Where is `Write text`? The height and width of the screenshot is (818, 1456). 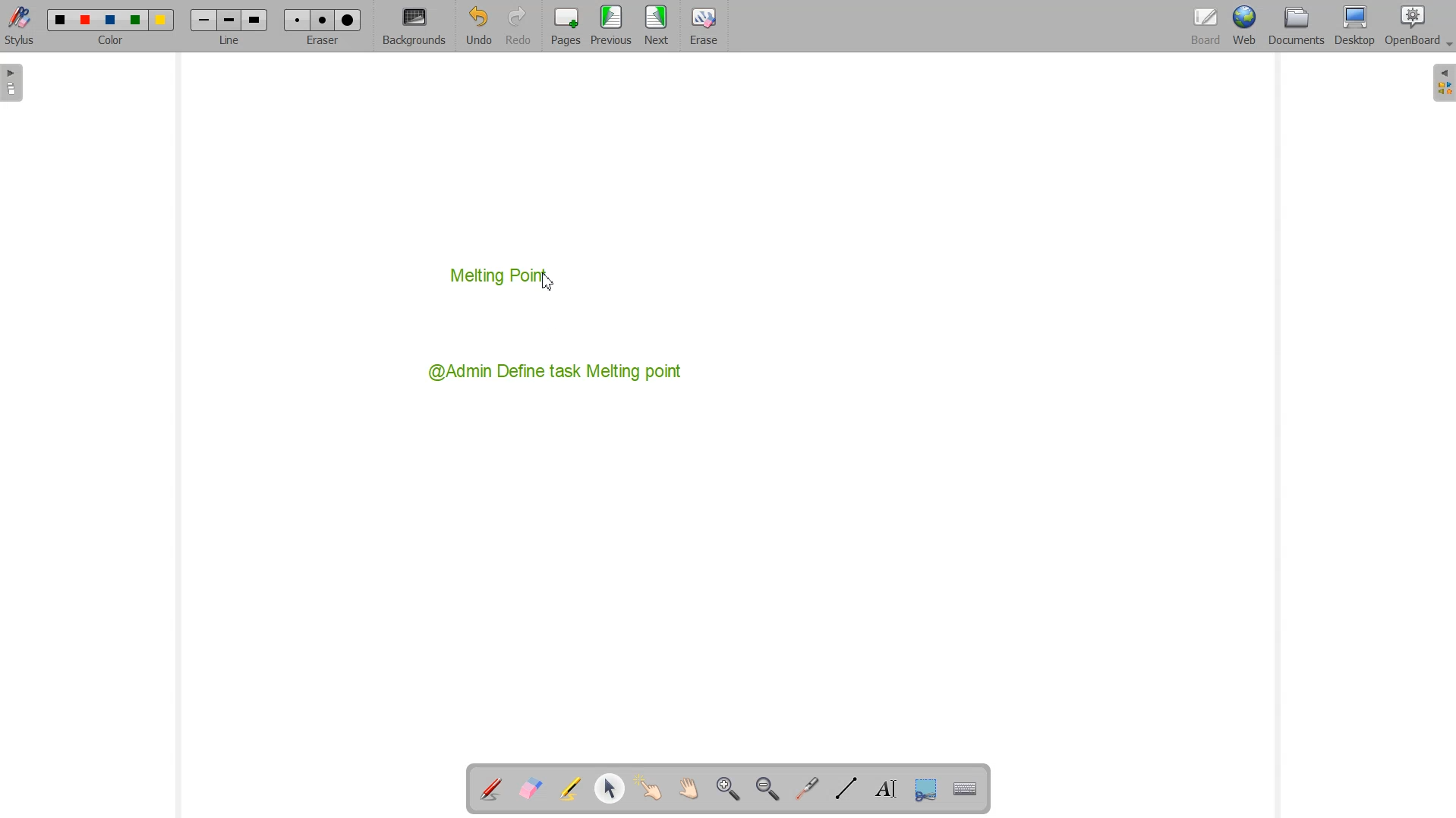 Write text is located at coordinates (882, 787).